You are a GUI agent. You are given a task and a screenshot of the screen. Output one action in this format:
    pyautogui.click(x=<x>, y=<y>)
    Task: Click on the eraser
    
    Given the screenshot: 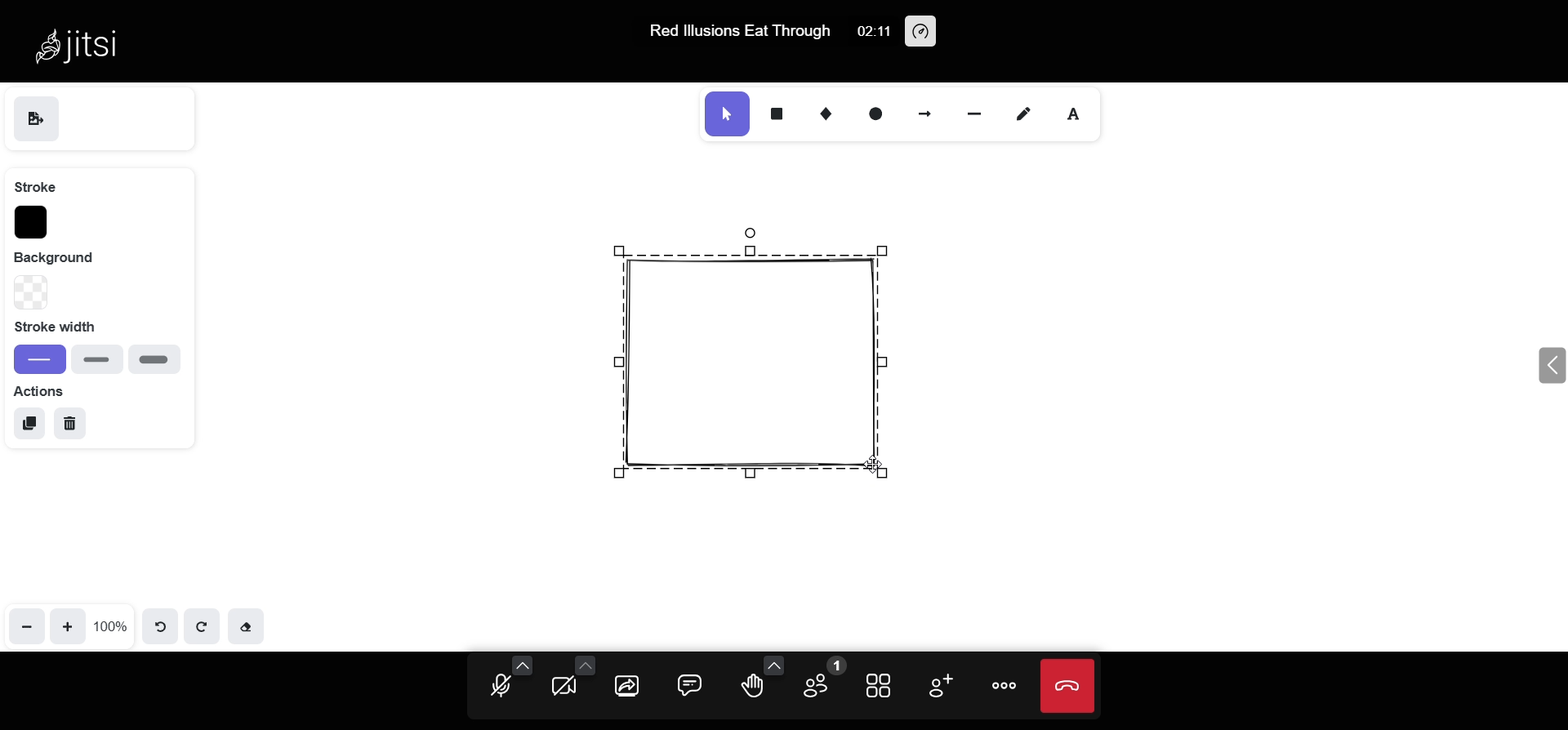 What is the action you would take?
    pyautogui.click(x=248, y=628)
    